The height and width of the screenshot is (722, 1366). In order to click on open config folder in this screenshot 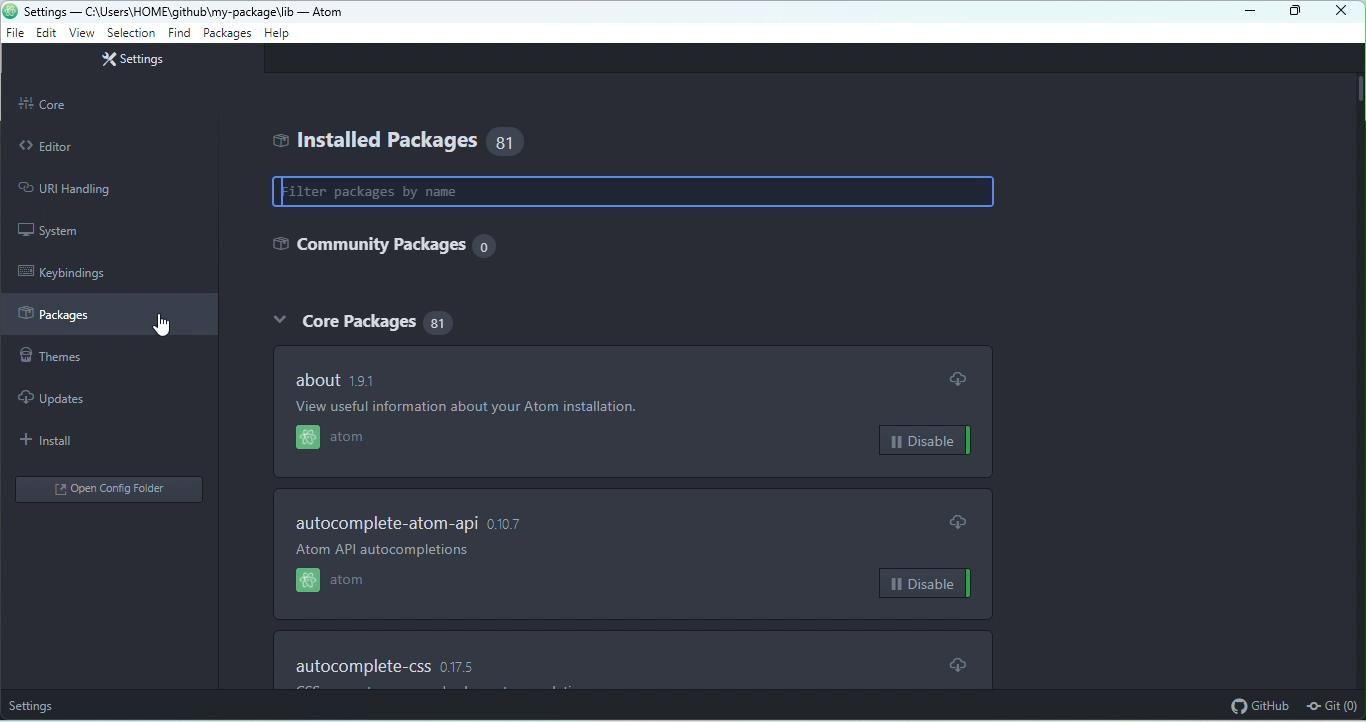, I will do `click(111, 492)`.